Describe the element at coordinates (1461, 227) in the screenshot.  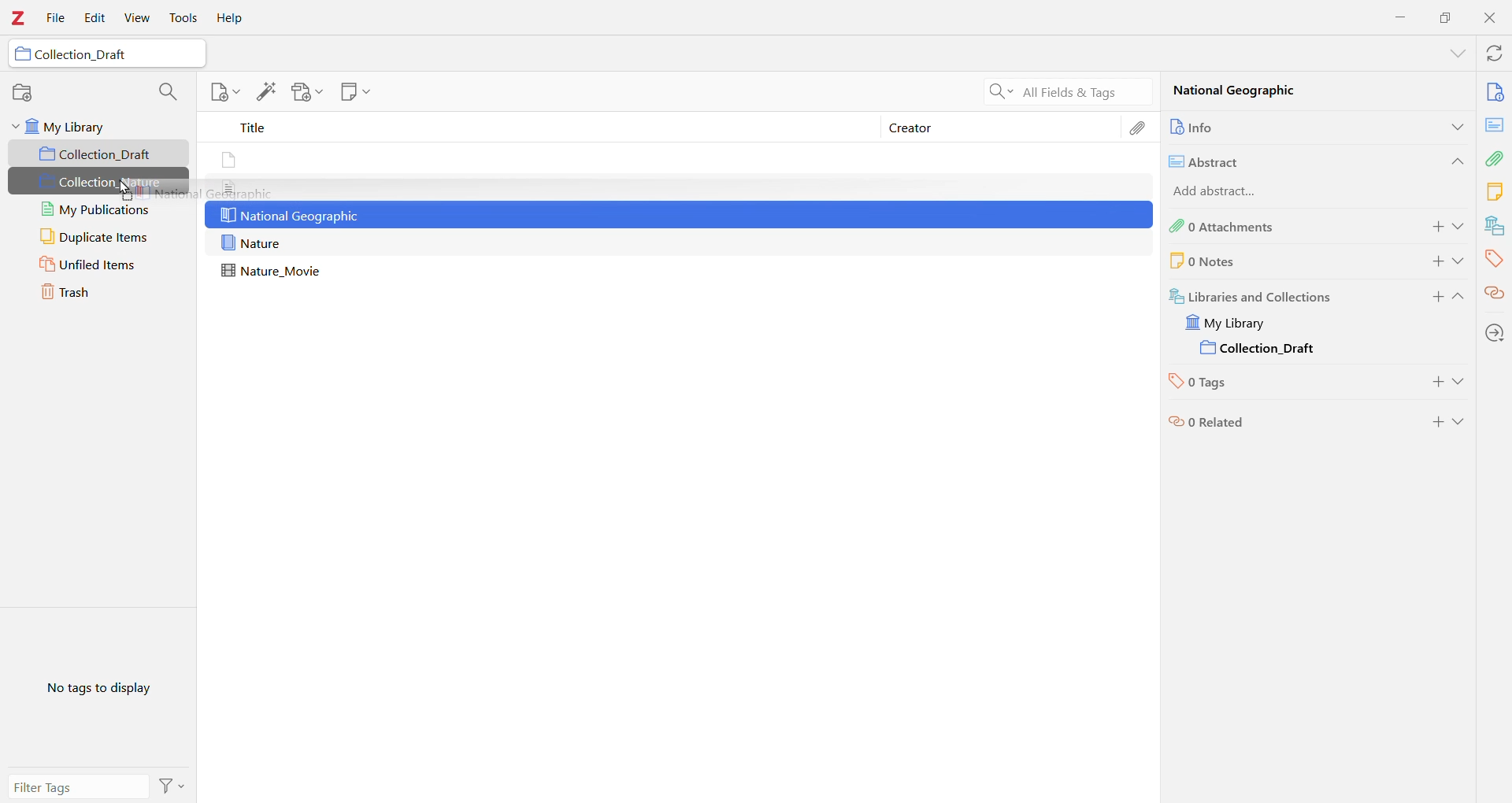
I see `Expand Section` at that location.